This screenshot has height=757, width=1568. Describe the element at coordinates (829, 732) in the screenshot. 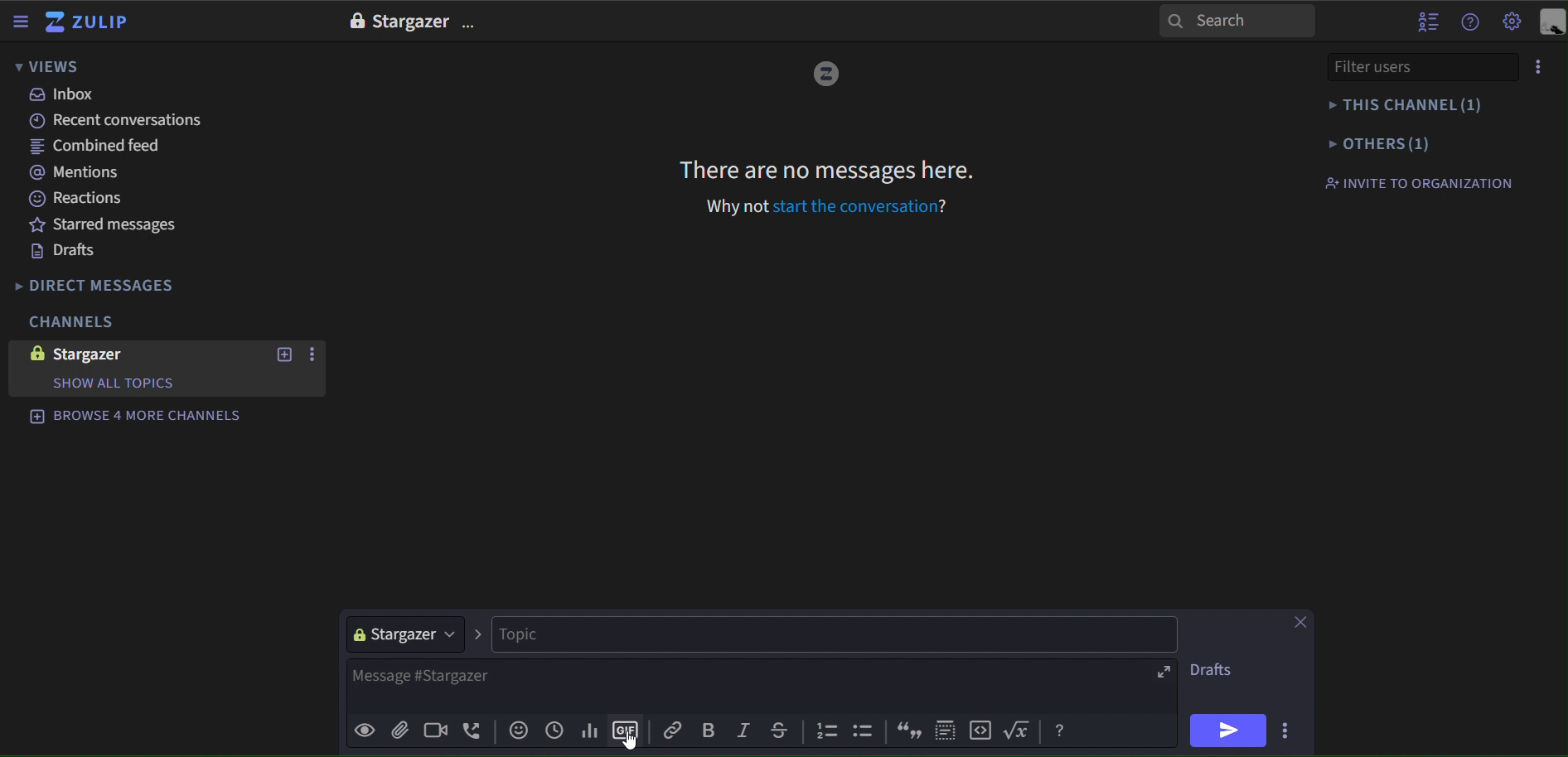

I see `listing` at that location.